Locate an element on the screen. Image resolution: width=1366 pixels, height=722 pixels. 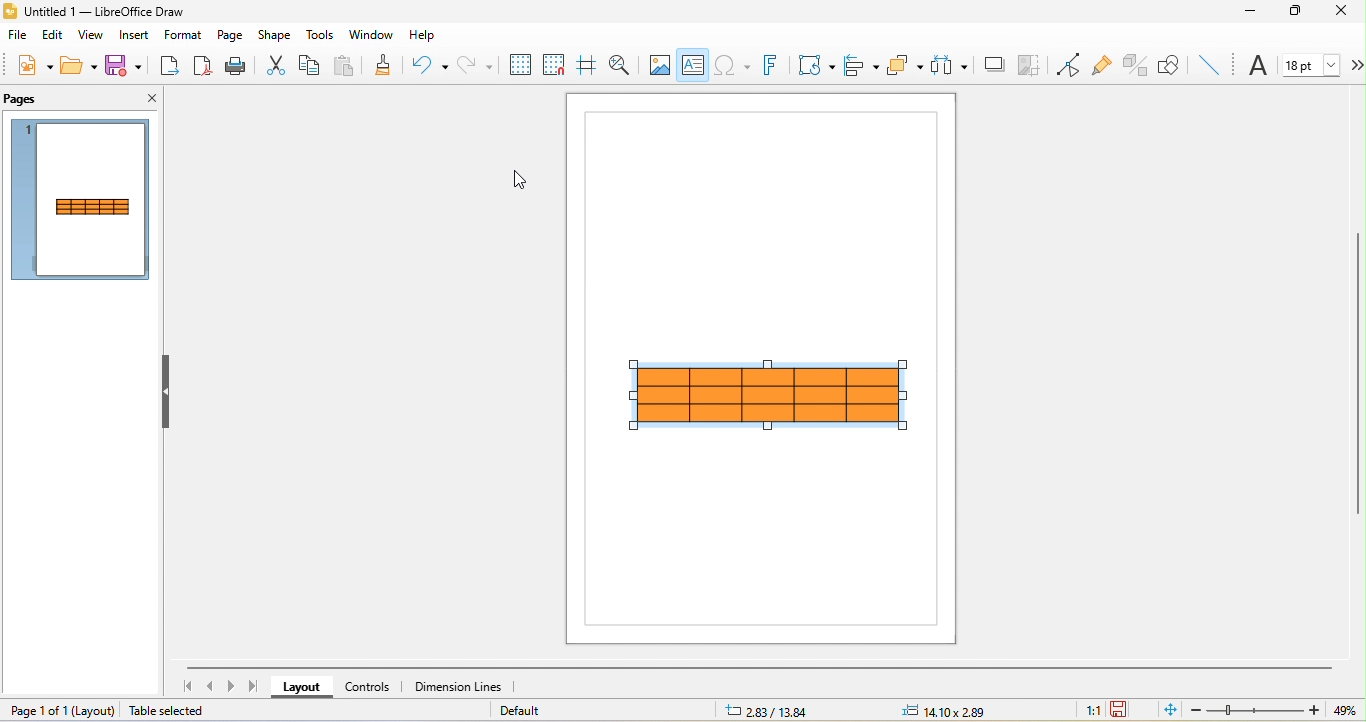
vertical scroll bar is located at coordinates (1357, 373).